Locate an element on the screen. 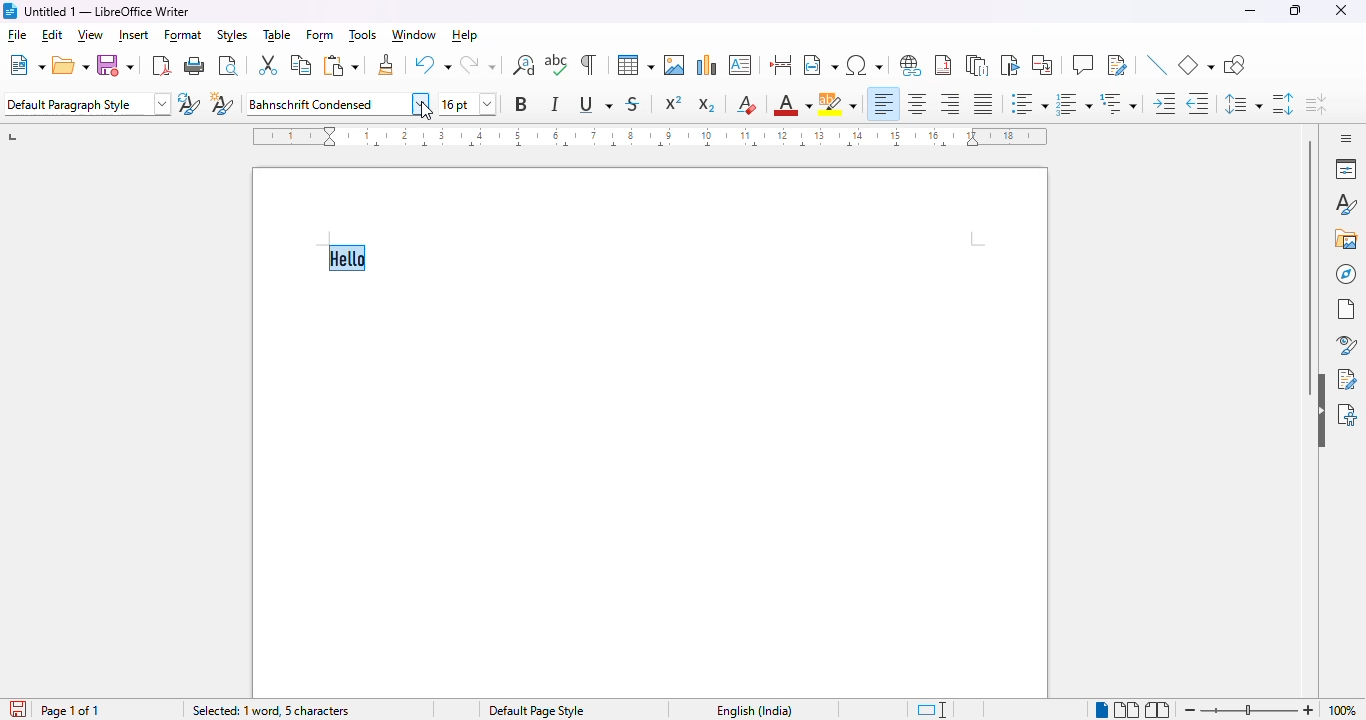  word and character count is located at coordinates (274, 711).